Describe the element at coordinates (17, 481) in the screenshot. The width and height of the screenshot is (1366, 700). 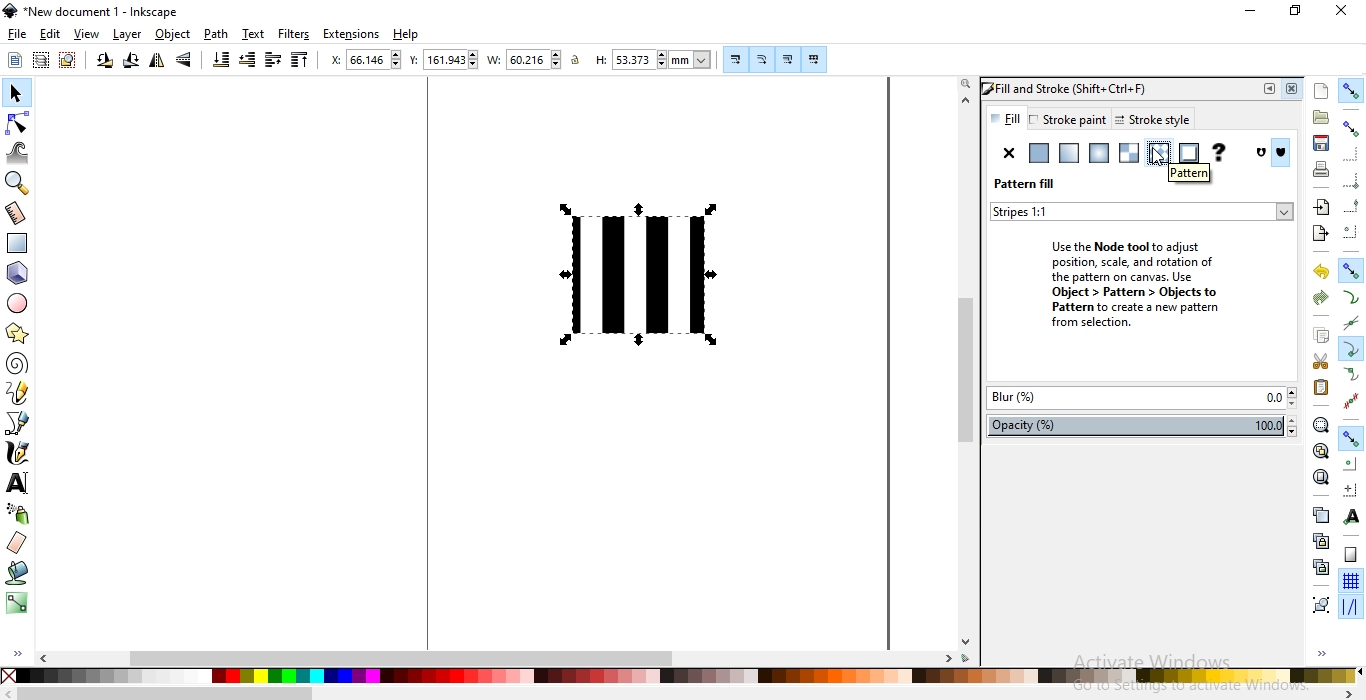
I see `create and edit text objects` at that location.